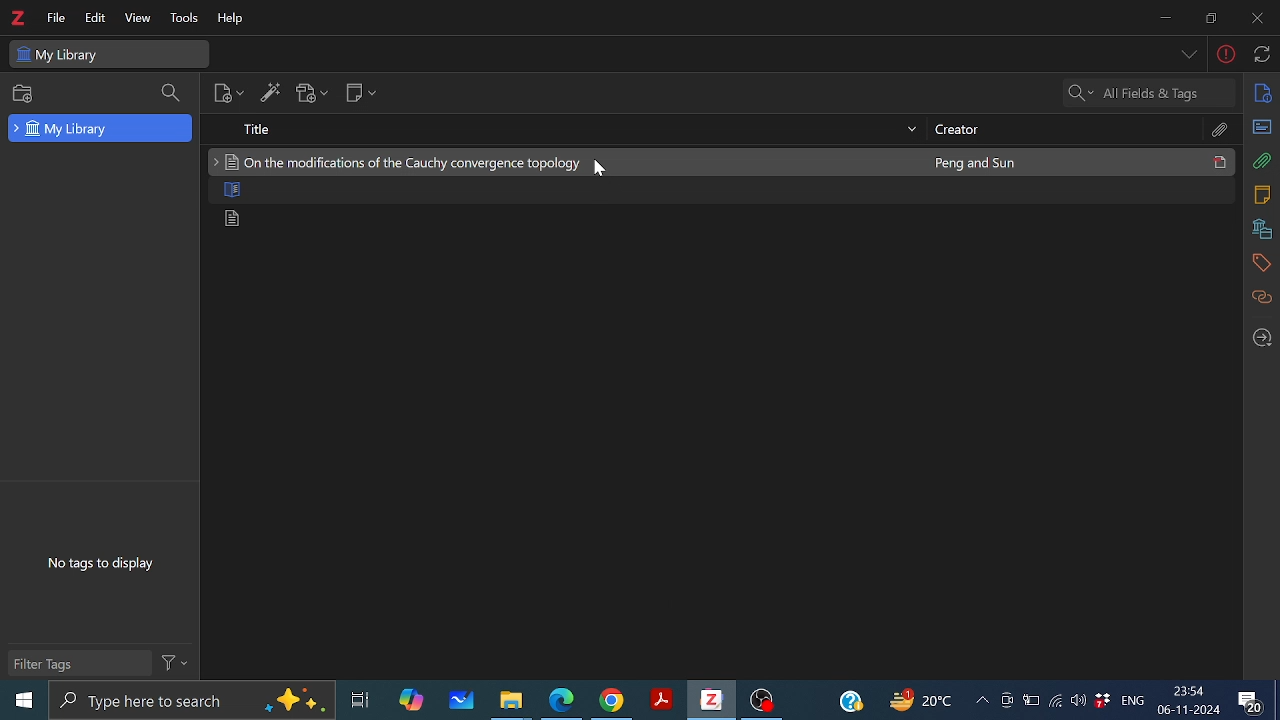 The width and height of the screenshot is (1280, 720). Describe the element at coordinates (136, 19) in the screenshot. I see `View` at that location.